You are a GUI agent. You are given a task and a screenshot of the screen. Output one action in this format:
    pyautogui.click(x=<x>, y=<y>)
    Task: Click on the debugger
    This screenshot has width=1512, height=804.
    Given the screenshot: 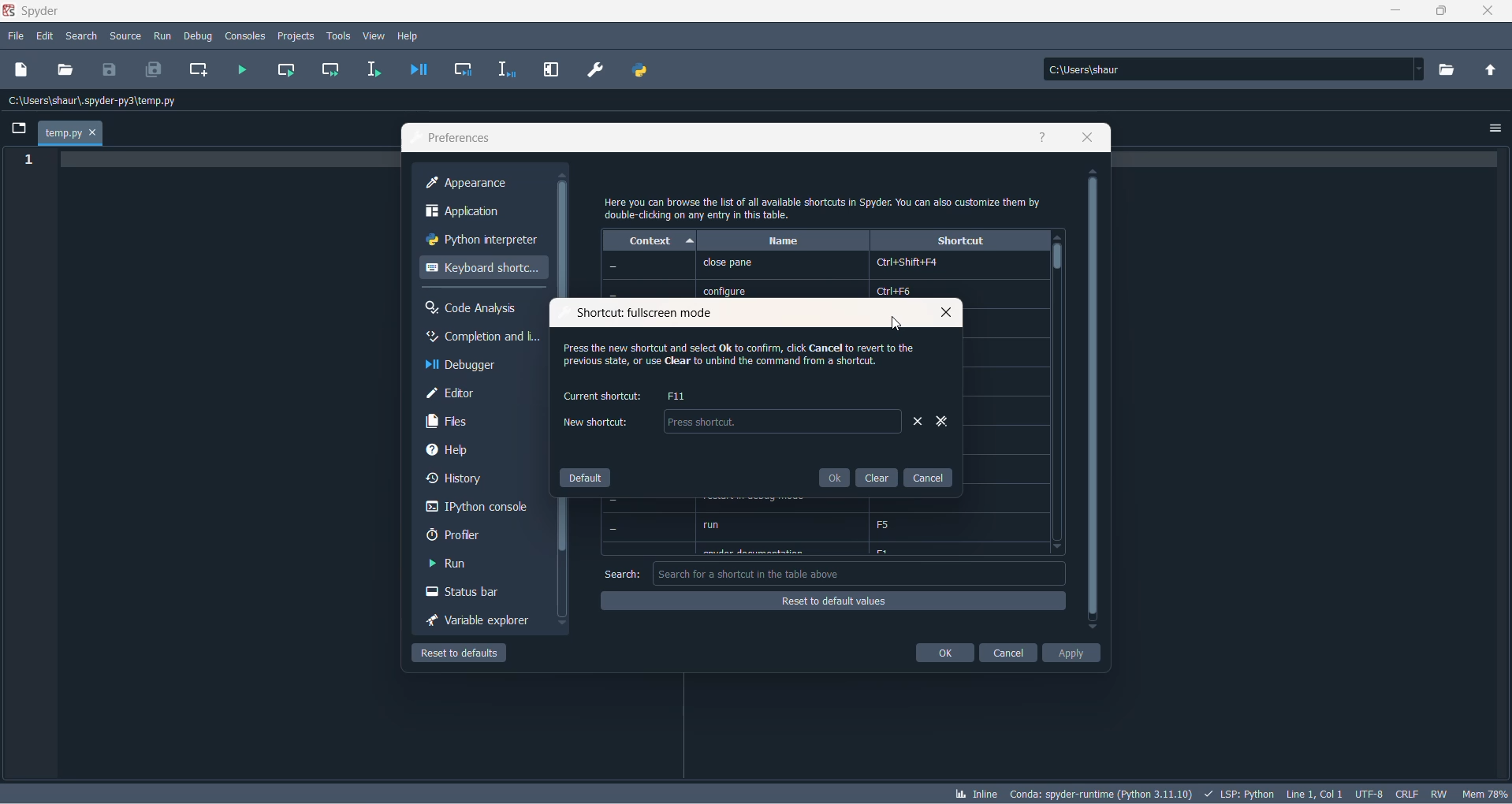 What is the action you would take?
    pyautogui.click(x=483, y=366)
    